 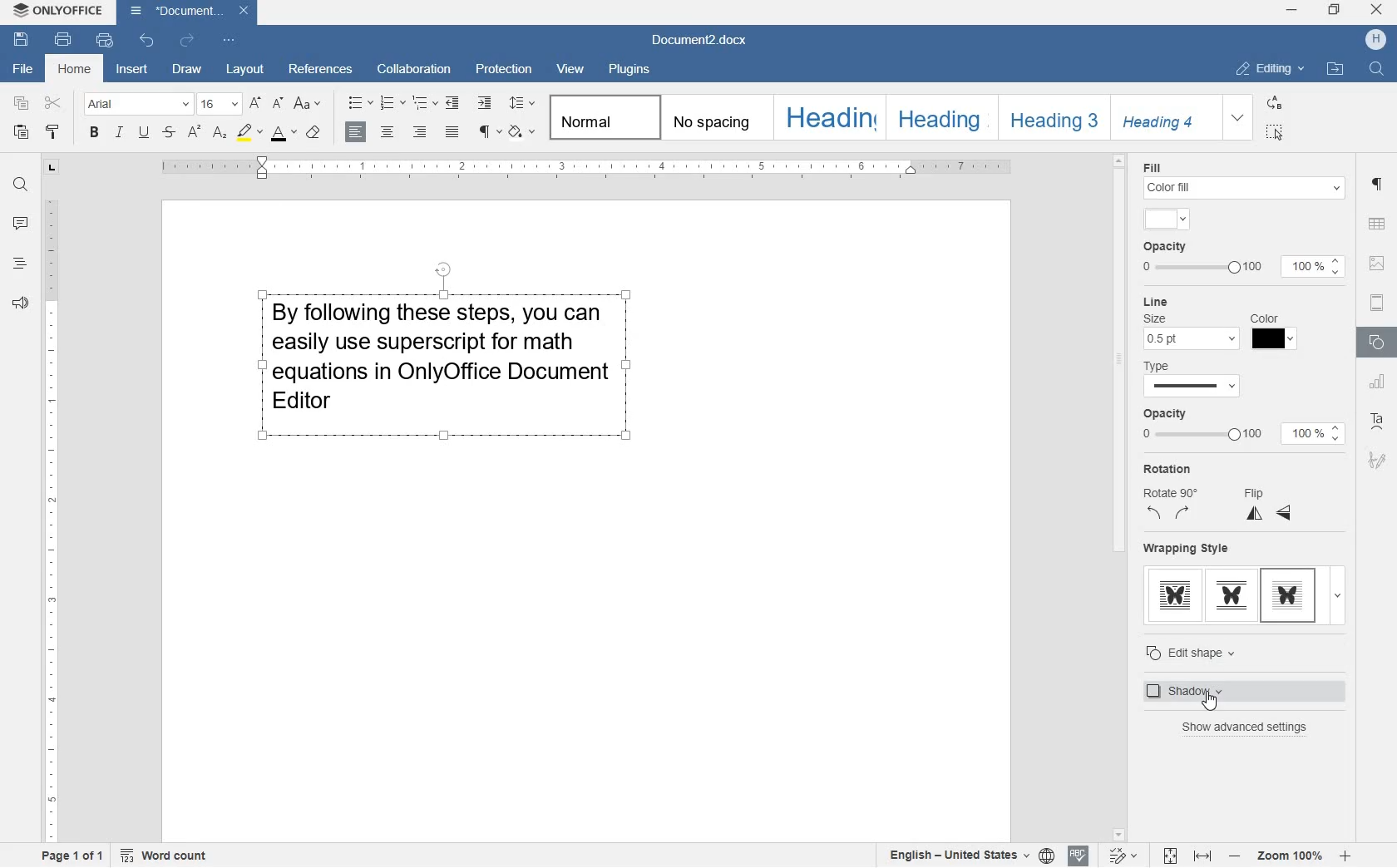 What do you see at coordinates (53, 132) in the screenshot?
I see `copy style` at bounding box center [53, 132].